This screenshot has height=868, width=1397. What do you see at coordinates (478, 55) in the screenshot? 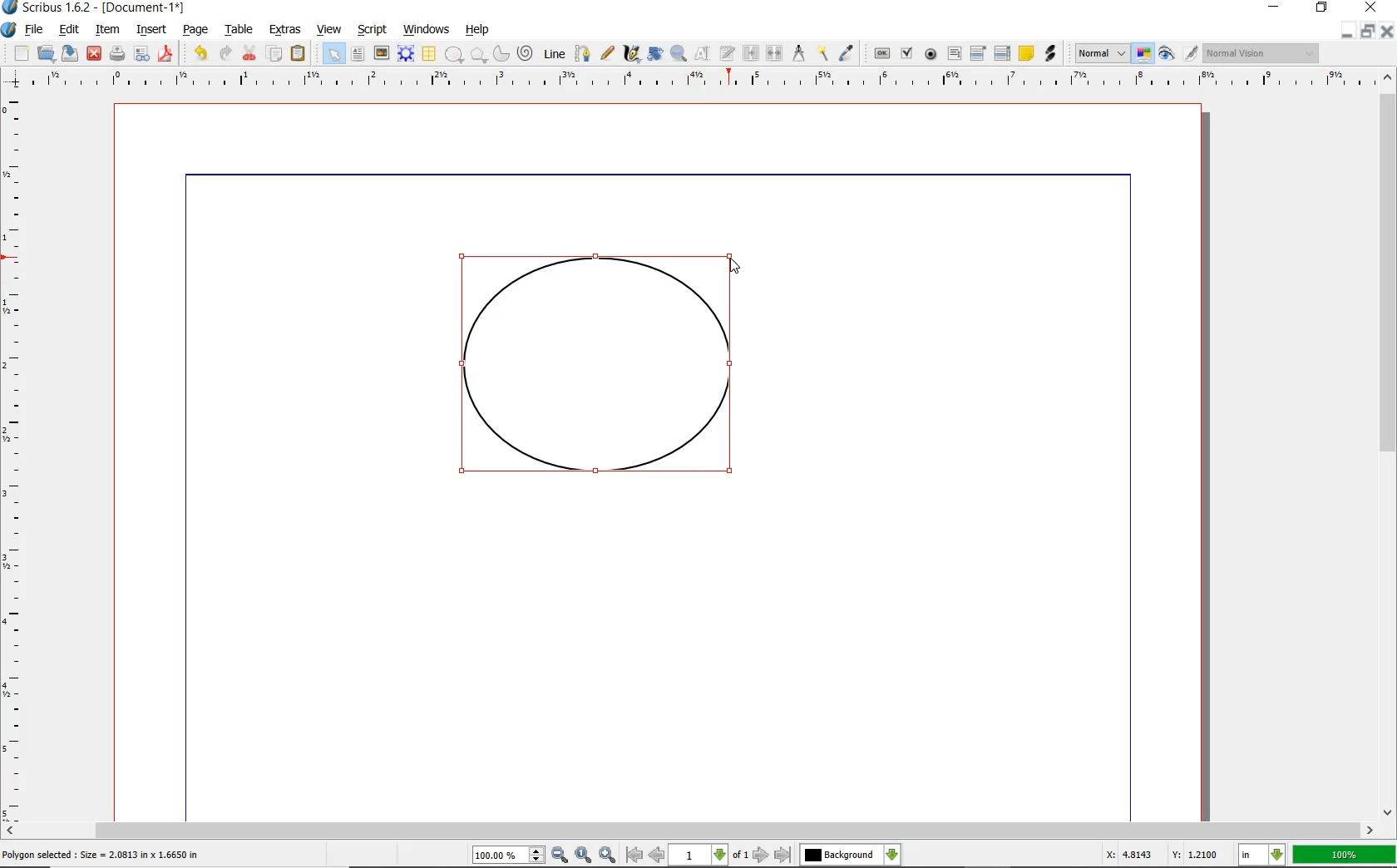
I see `POLYGON` at bounding box center [478, 55].